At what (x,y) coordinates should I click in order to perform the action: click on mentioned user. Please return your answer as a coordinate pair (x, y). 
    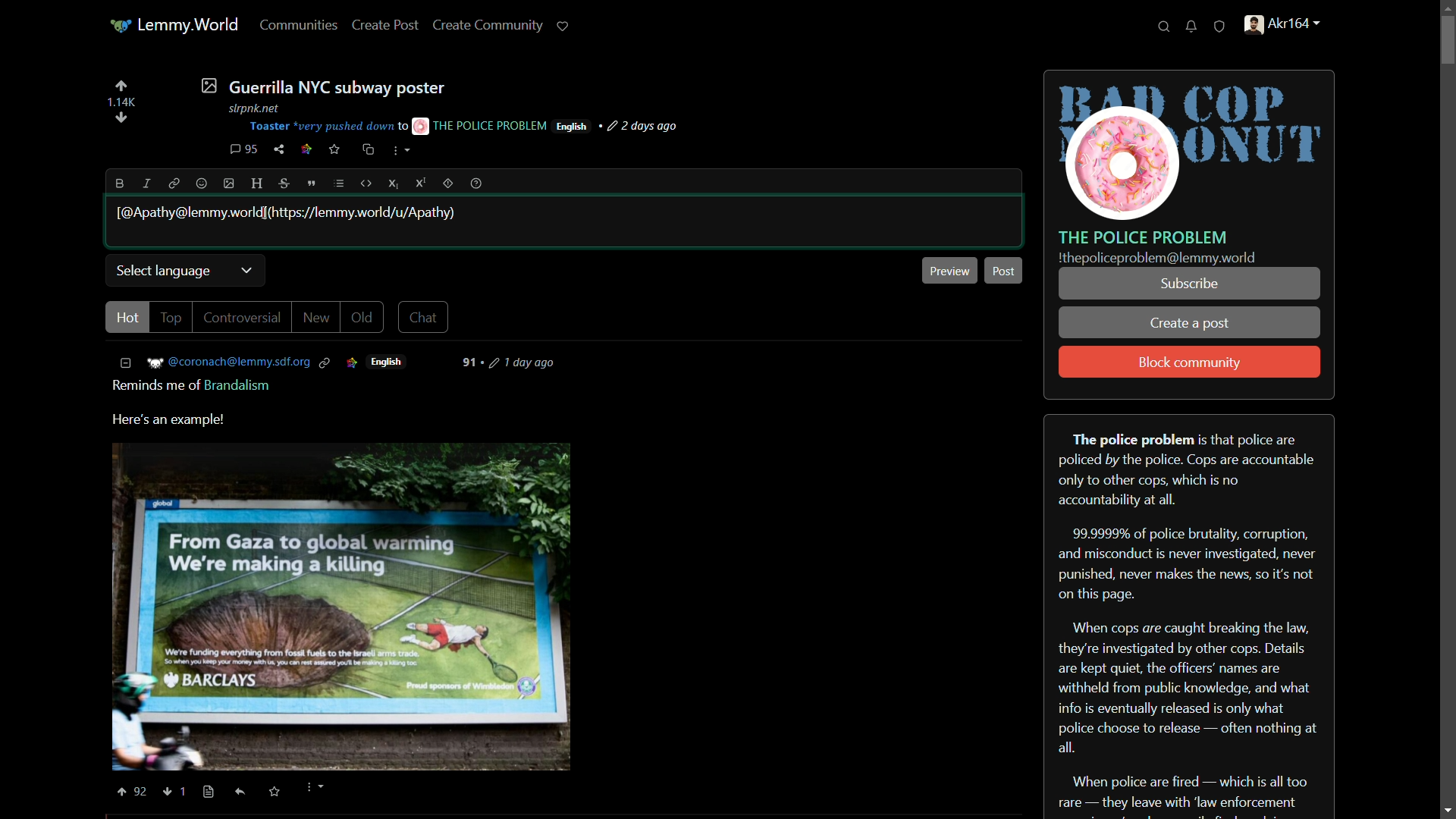
    Looking at the image, I should click on (289, 213).